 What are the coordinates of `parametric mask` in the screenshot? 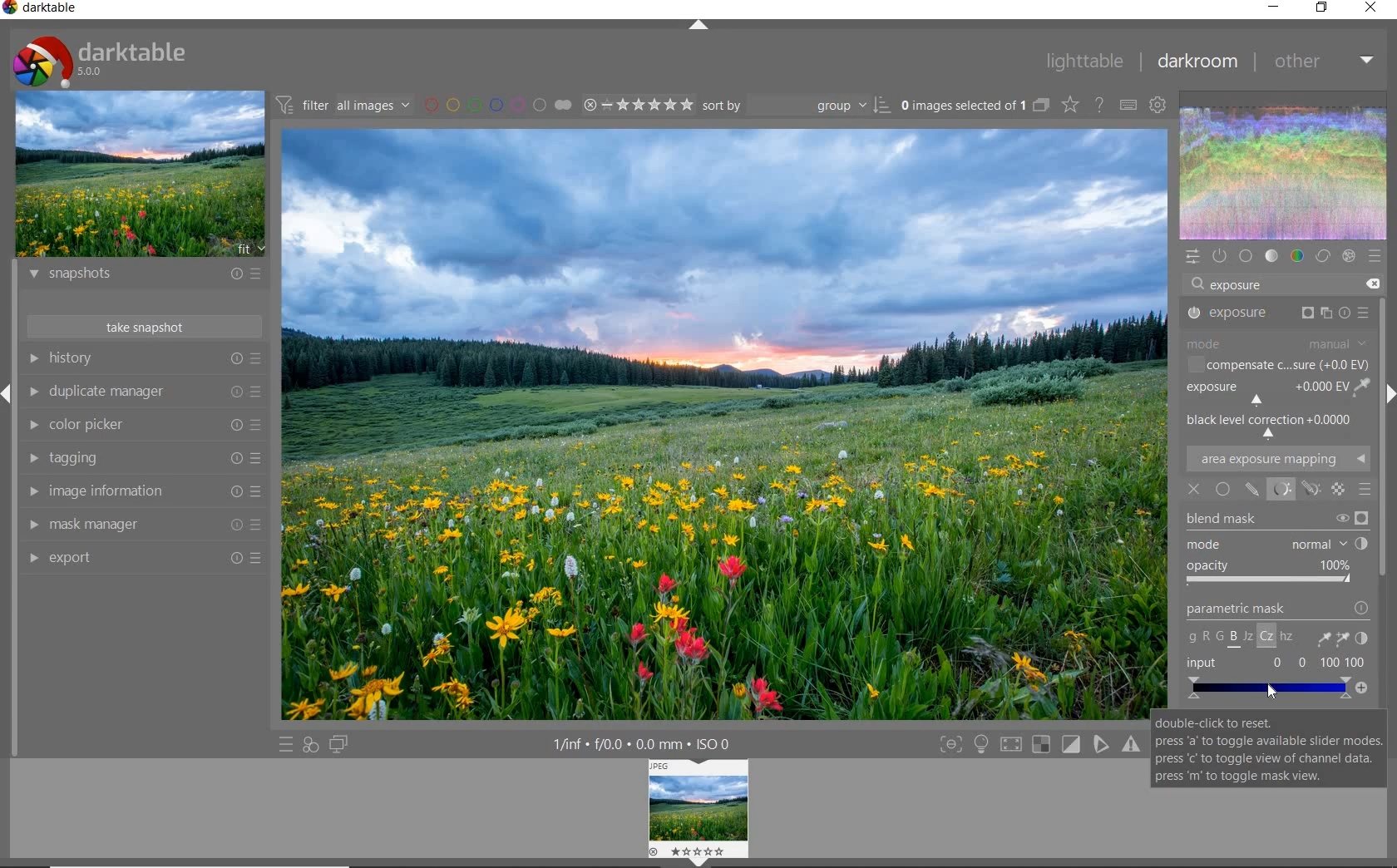 It's located at (1278, 625).